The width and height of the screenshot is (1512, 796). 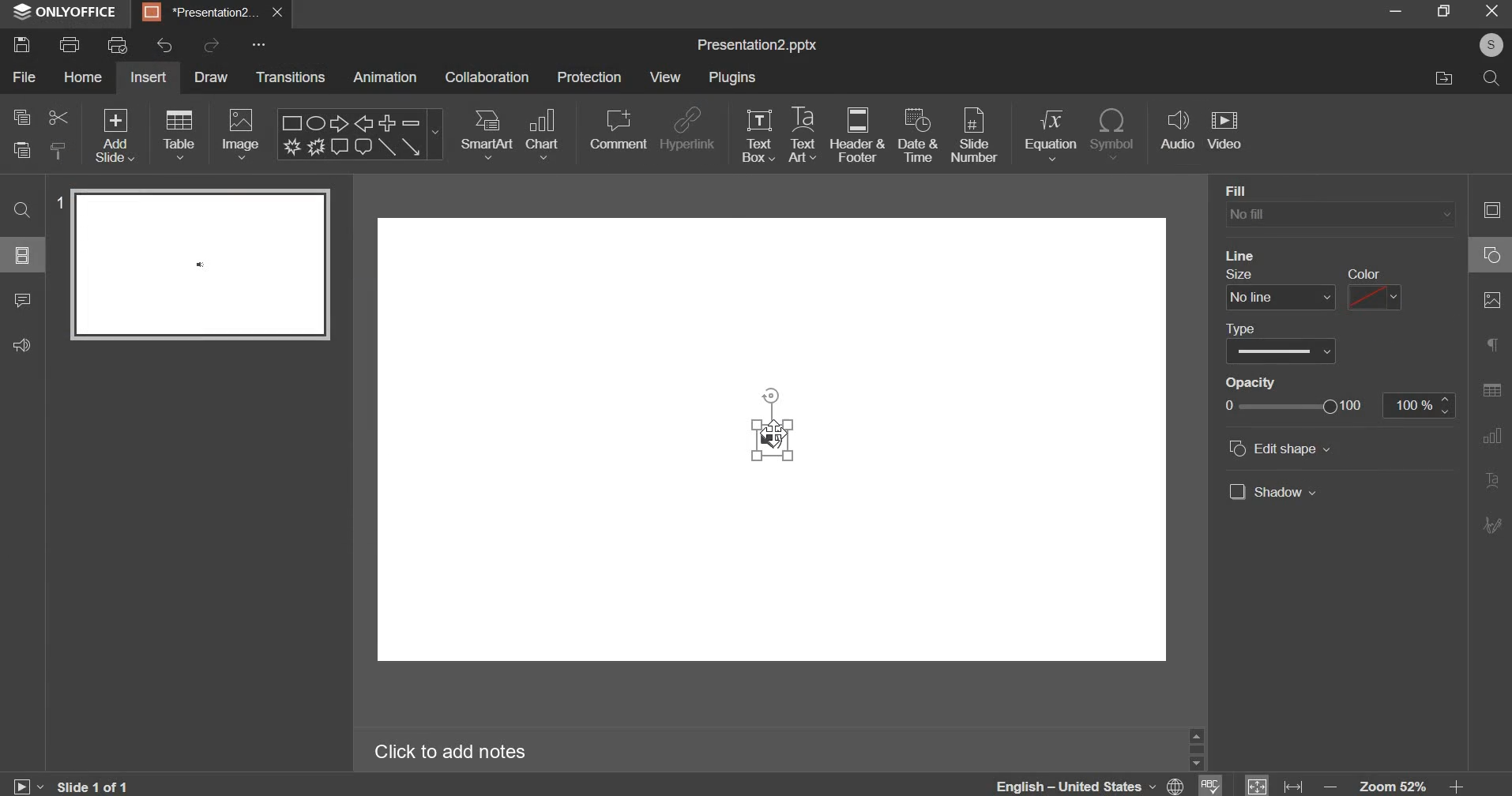 I want to click on image settings, so click(x=1493, y=300).